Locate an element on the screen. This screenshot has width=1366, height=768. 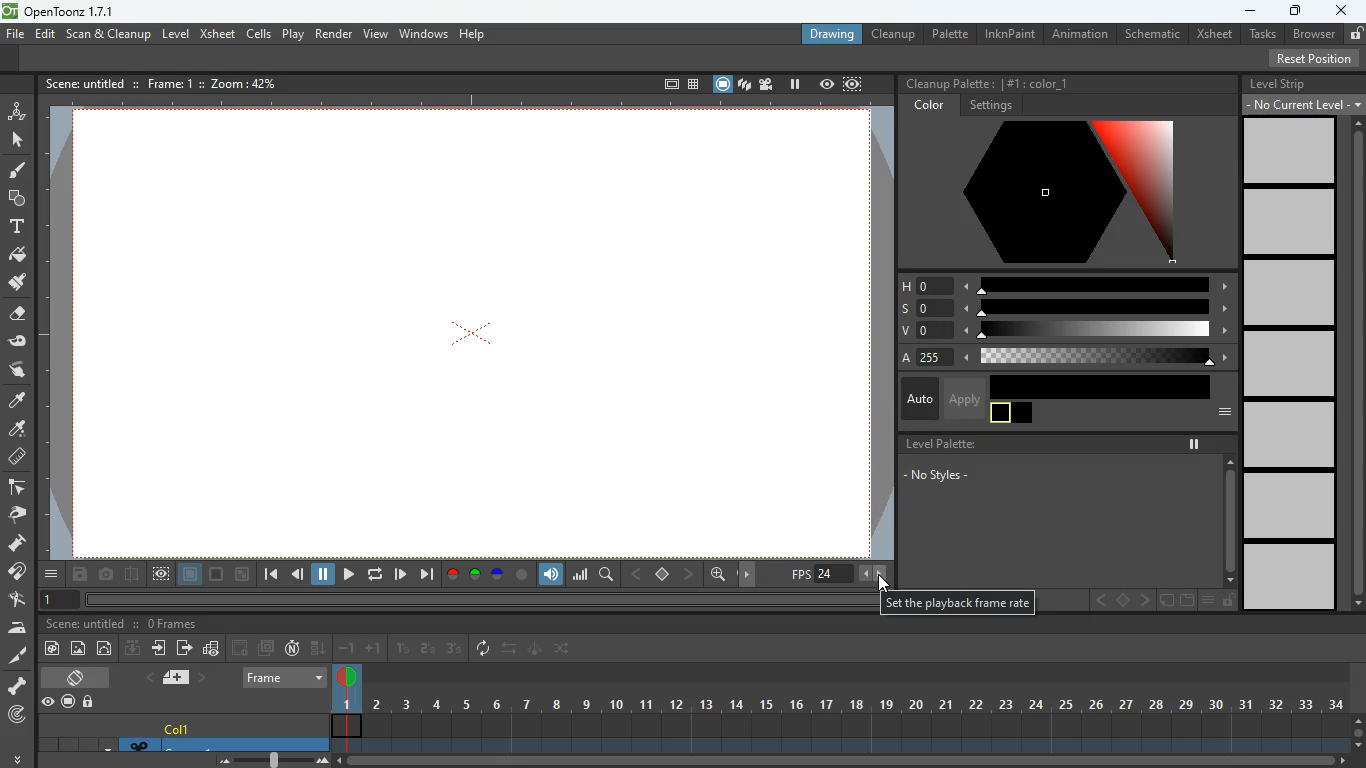
document is located at coordinates (1185, 601).